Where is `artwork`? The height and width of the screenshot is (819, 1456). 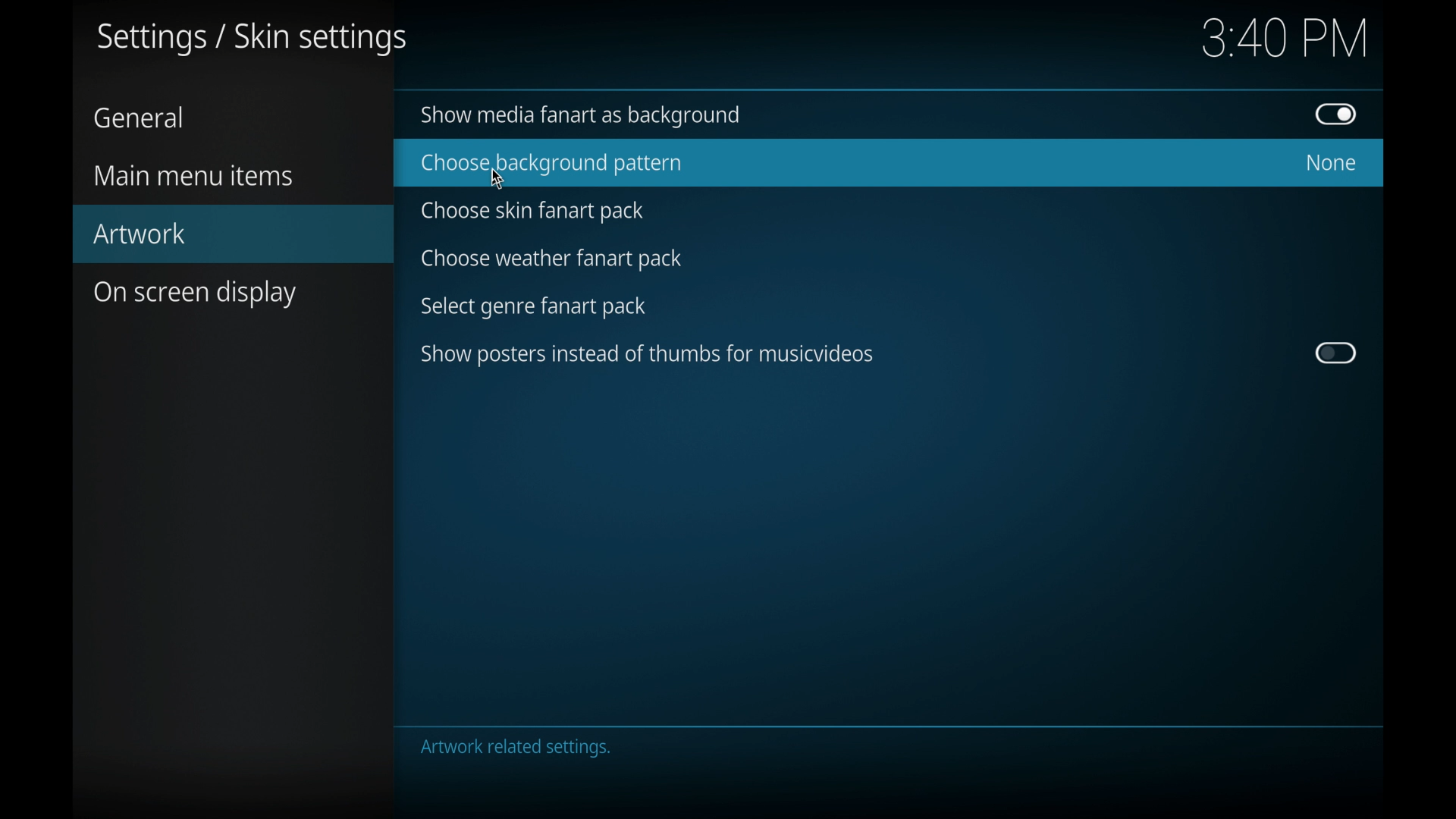
artwork is located at coordinates (234, 234).